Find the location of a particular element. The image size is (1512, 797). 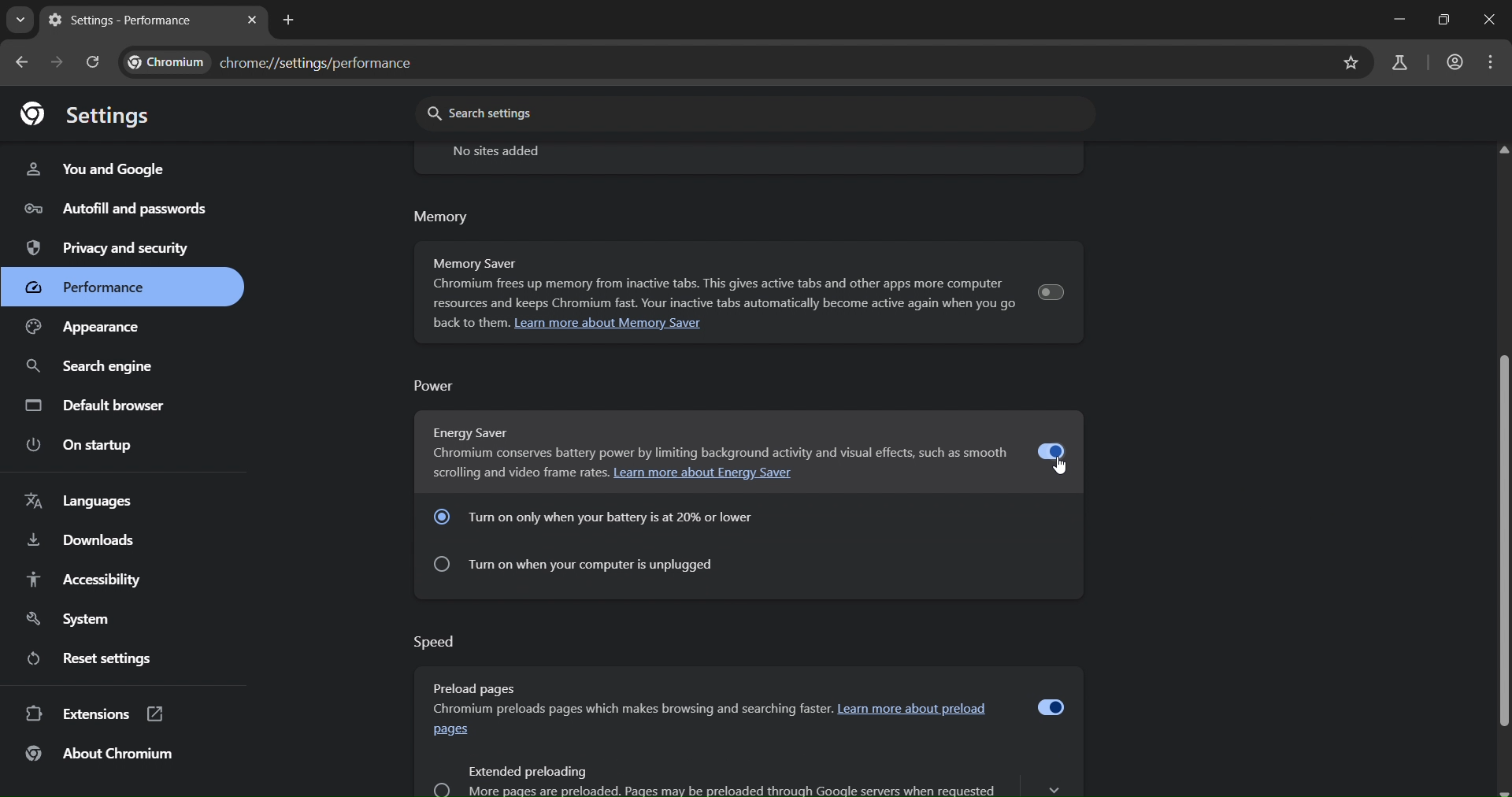

chormium preloads pages which make browsing faster is located at coordinates (629, 709).